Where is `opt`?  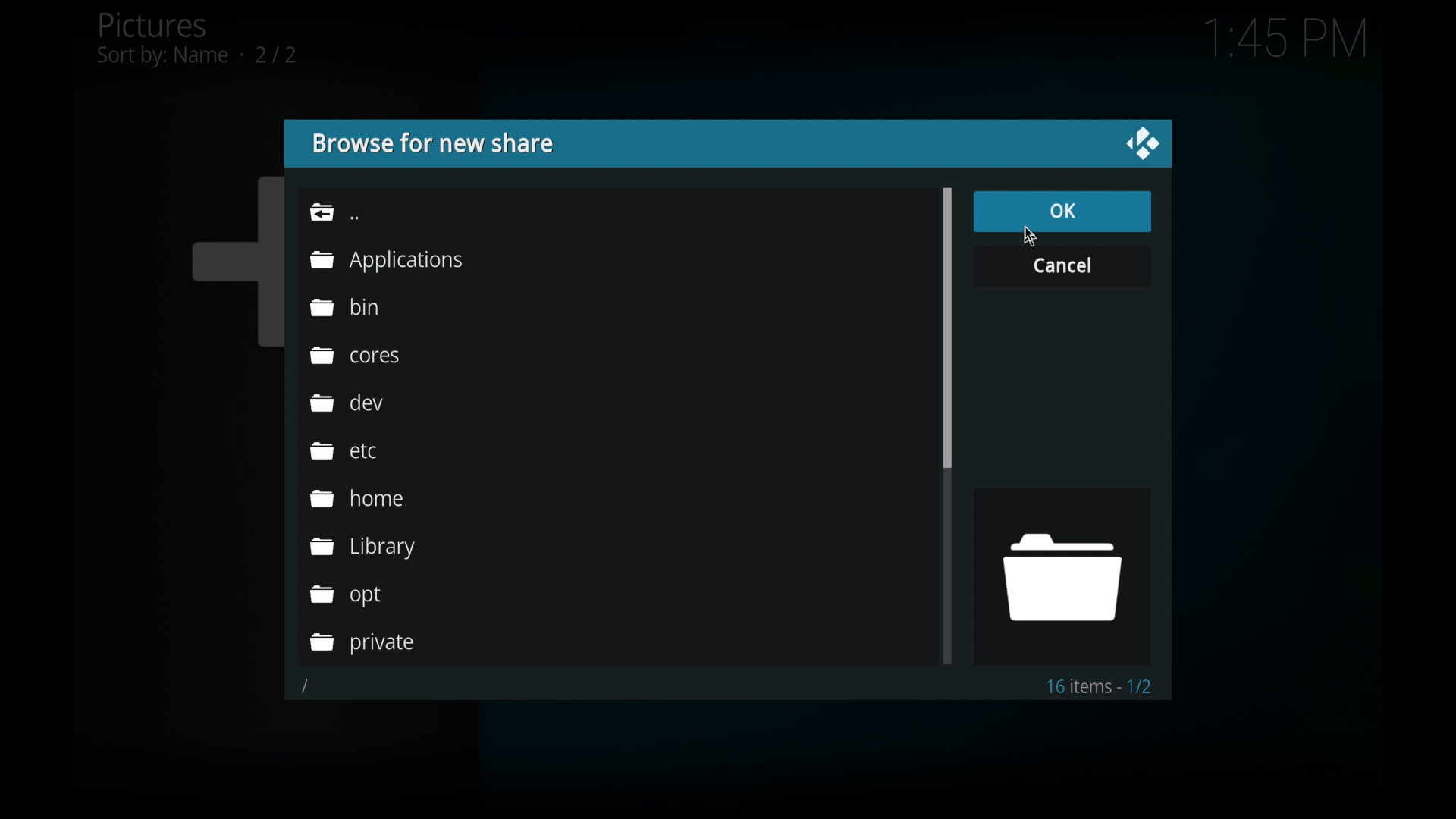 opt is located at coordinates (347, 595).